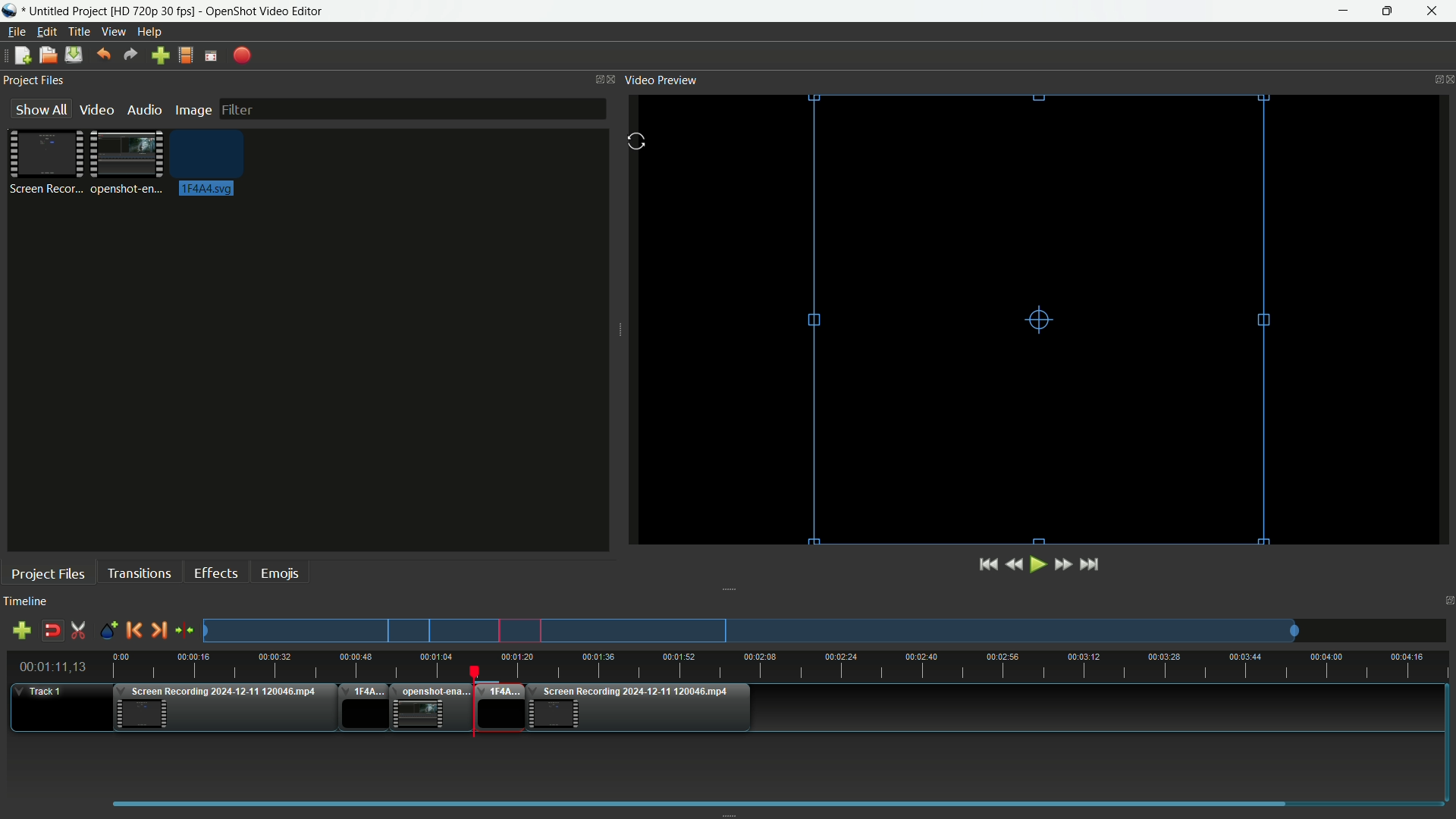 The width and height of the screenshot is (1456, 819). Describe the element at coordinates (95, 109) in the screenshot. I see `Video` at that location.